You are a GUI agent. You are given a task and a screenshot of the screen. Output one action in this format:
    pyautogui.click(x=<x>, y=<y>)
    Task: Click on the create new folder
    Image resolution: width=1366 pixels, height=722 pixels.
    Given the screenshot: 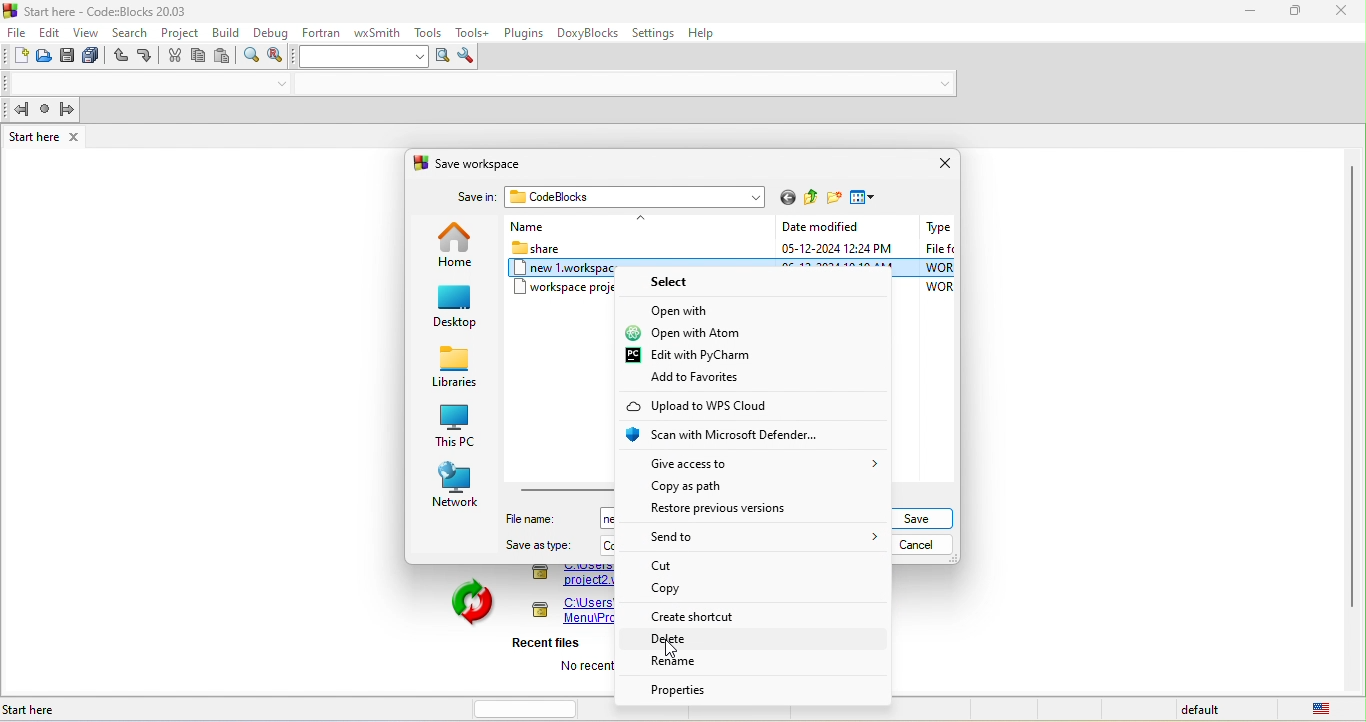 What is the action you would take?
    pyautogui.click(x=835, y=198)
    